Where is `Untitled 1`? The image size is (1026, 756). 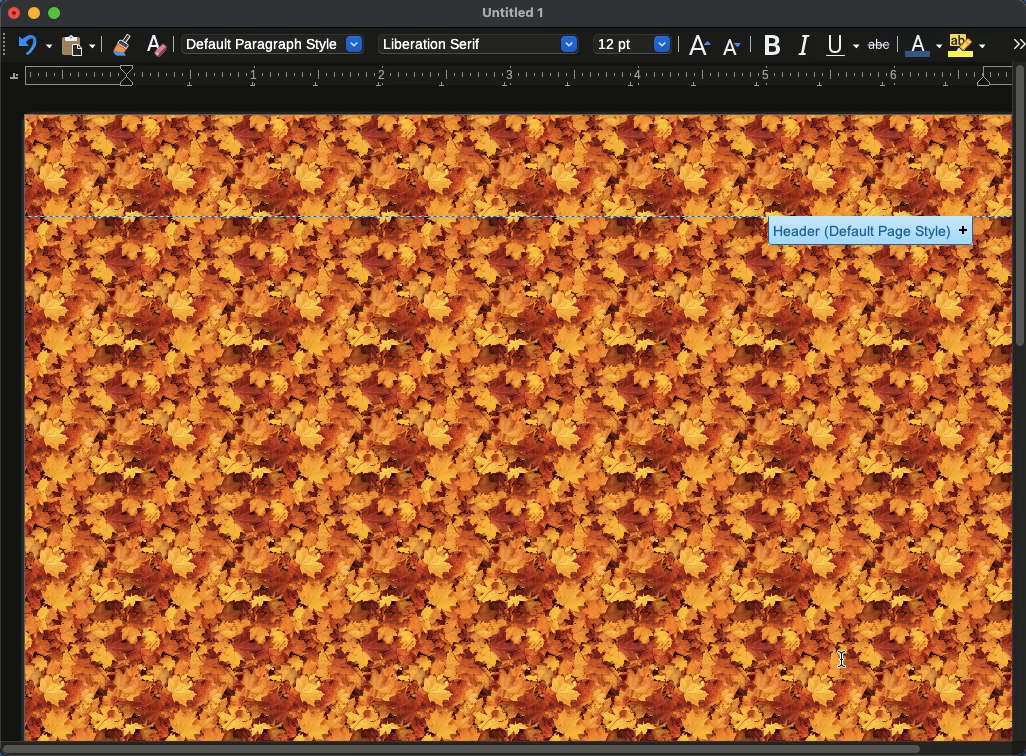
Untitled 1 is located at coordinates (512, 13).